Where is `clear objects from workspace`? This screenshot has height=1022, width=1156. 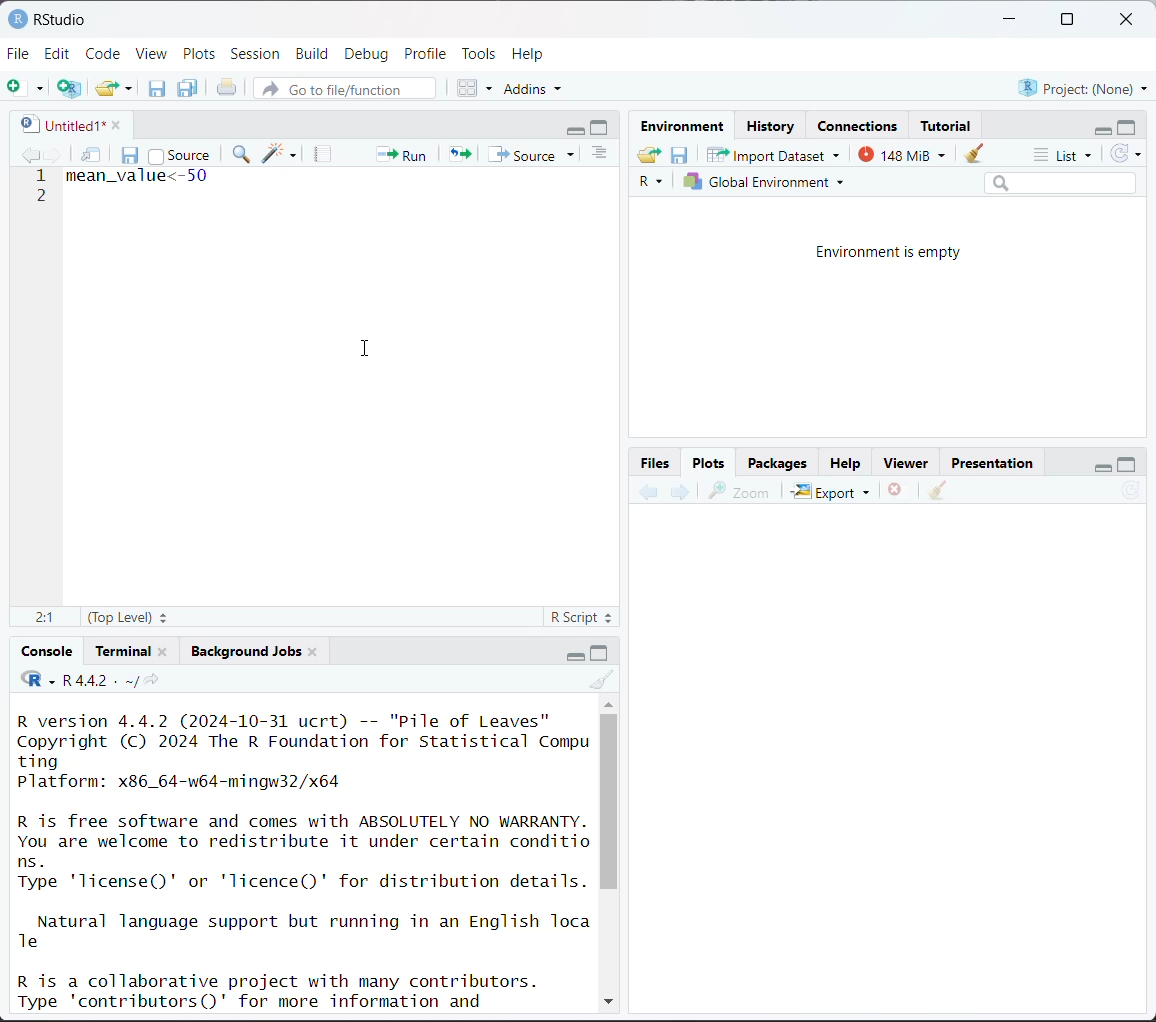
clear objects from workspace is located at coordinates (969, 150).